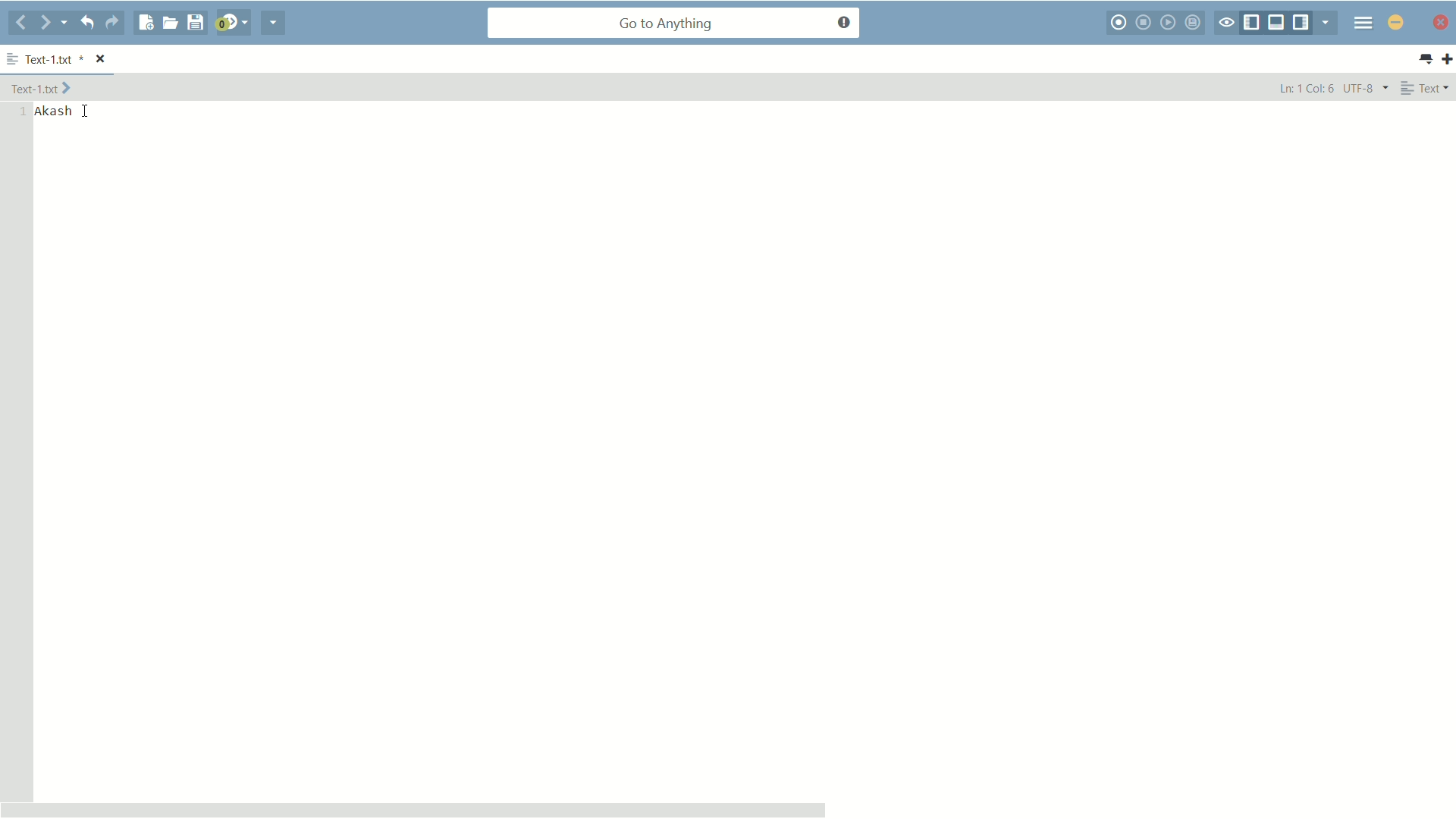  Describe the element at coordinates (102, 60) in the screenshot. I see `close file` at that location.